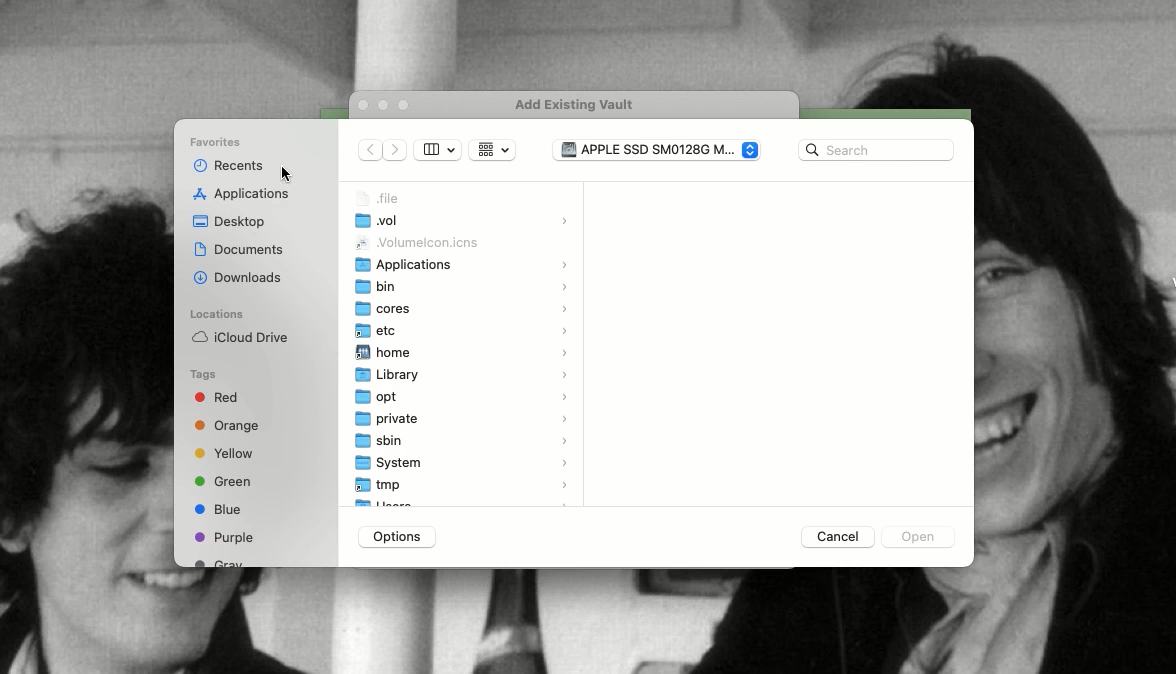 This screenshot has height=674, width=1176. I want to click on previous, so click(371, 152).